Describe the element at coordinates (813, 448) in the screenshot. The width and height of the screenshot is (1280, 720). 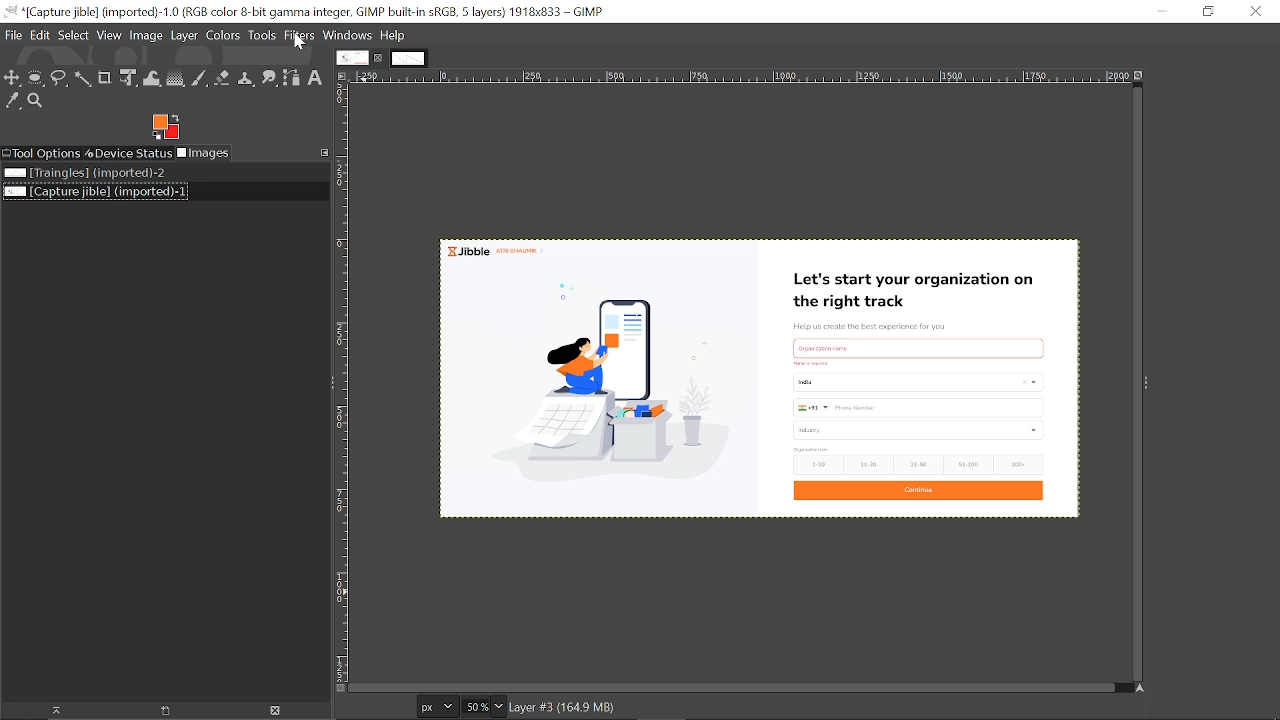
I see `text` at that location.